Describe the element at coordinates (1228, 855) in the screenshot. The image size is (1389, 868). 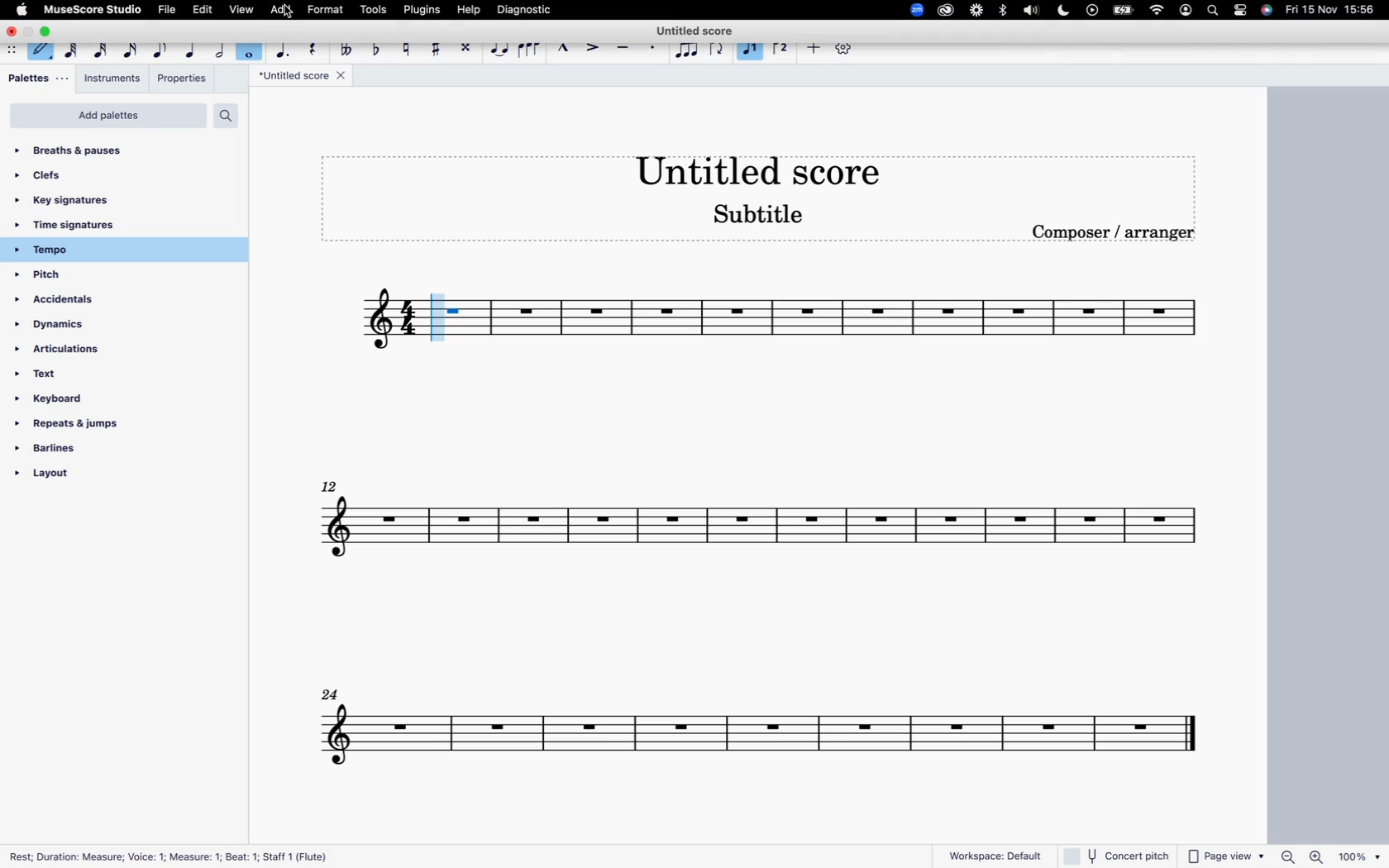
I see `page view` at that location.